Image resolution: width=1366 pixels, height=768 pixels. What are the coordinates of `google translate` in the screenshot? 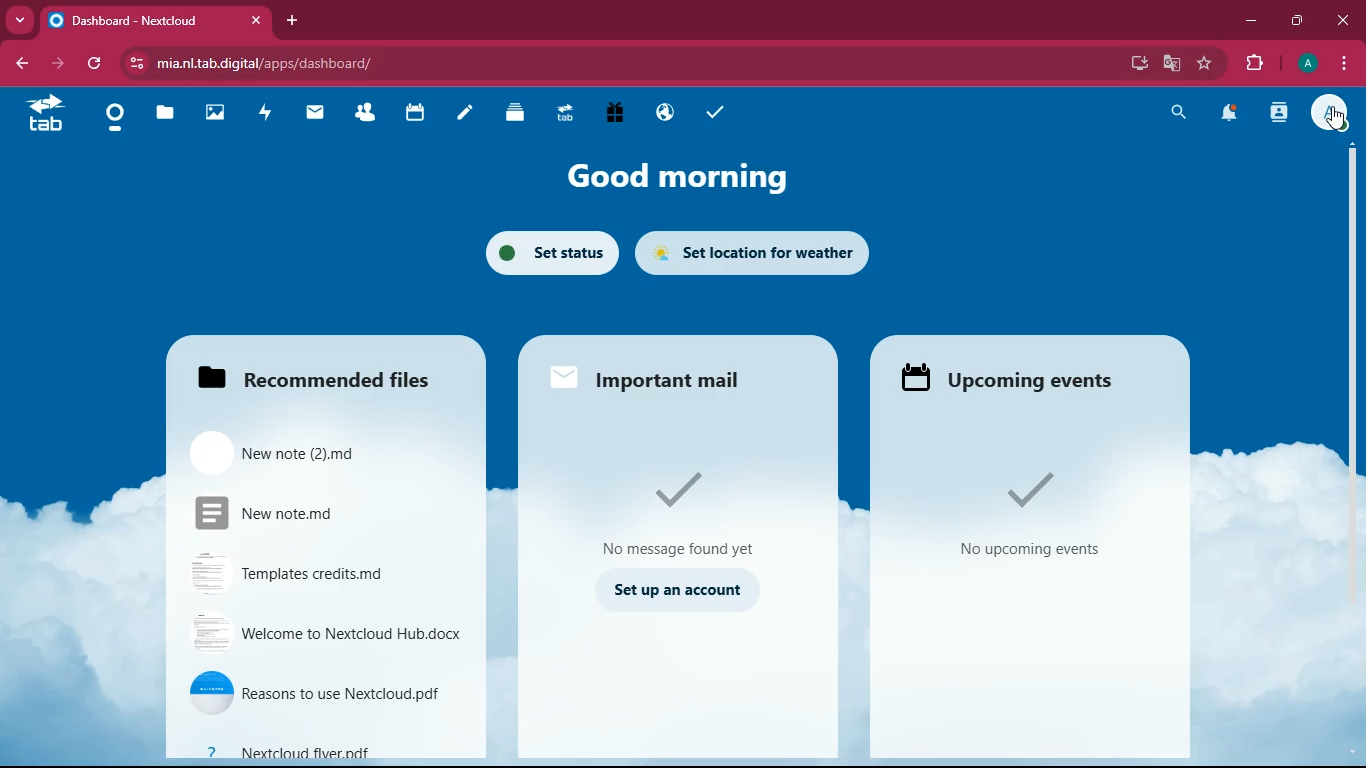 It's located at (1170, 66).